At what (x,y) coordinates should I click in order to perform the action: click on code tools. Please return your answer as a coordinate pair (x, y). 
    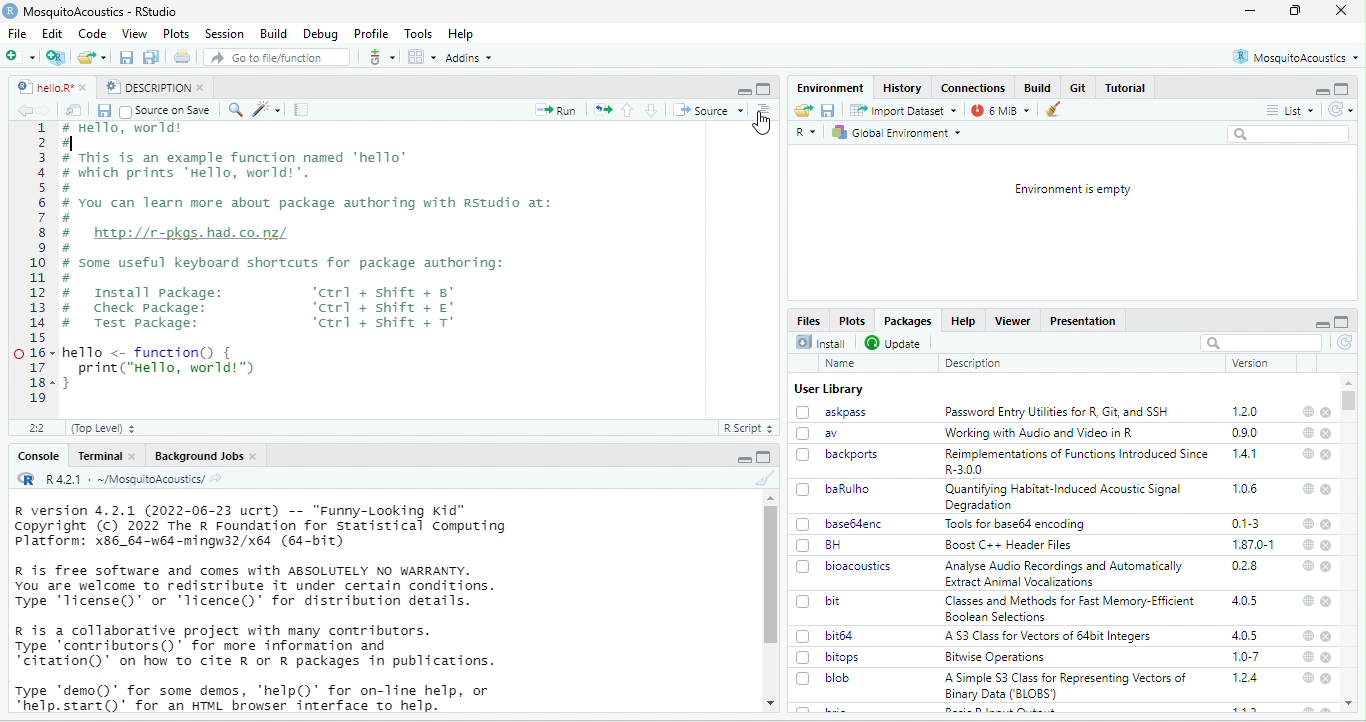
    Looking at the image, I should click on (269, 110).